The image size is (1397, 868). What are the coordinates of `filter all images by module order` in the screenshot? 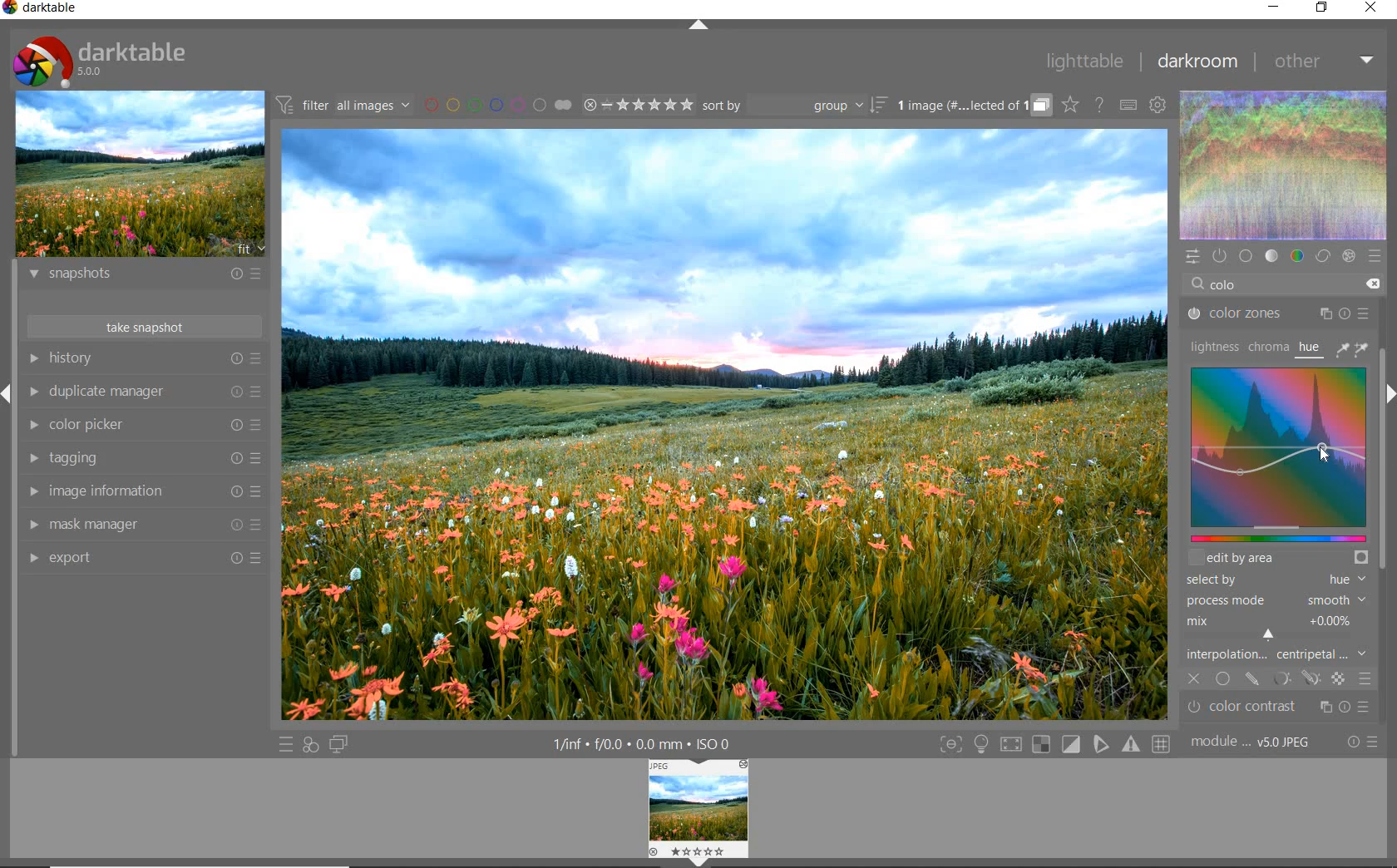 It's located at (342, 106).